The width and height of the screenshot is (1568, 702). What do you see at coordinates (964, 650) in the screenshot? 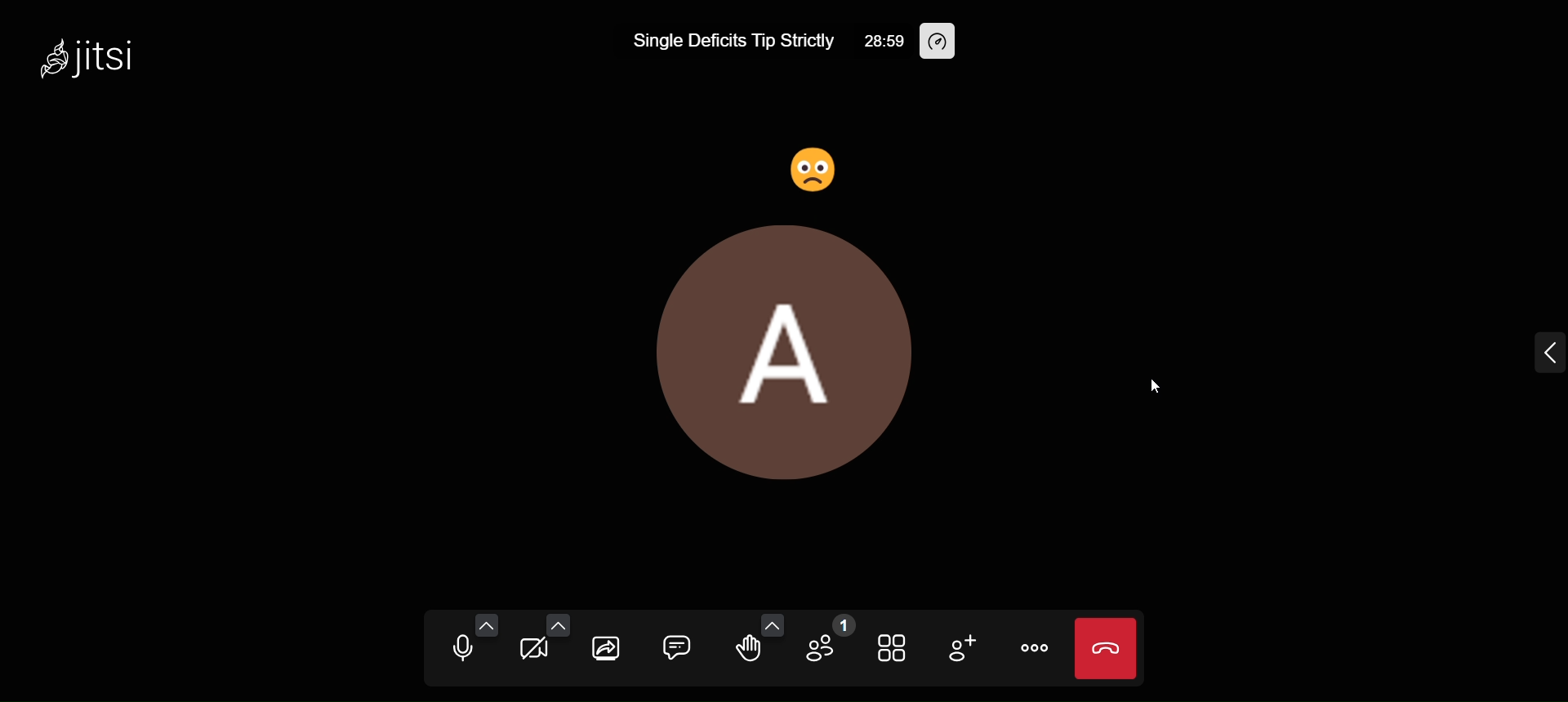
I see `invite people` at bounding box center [964, 650].